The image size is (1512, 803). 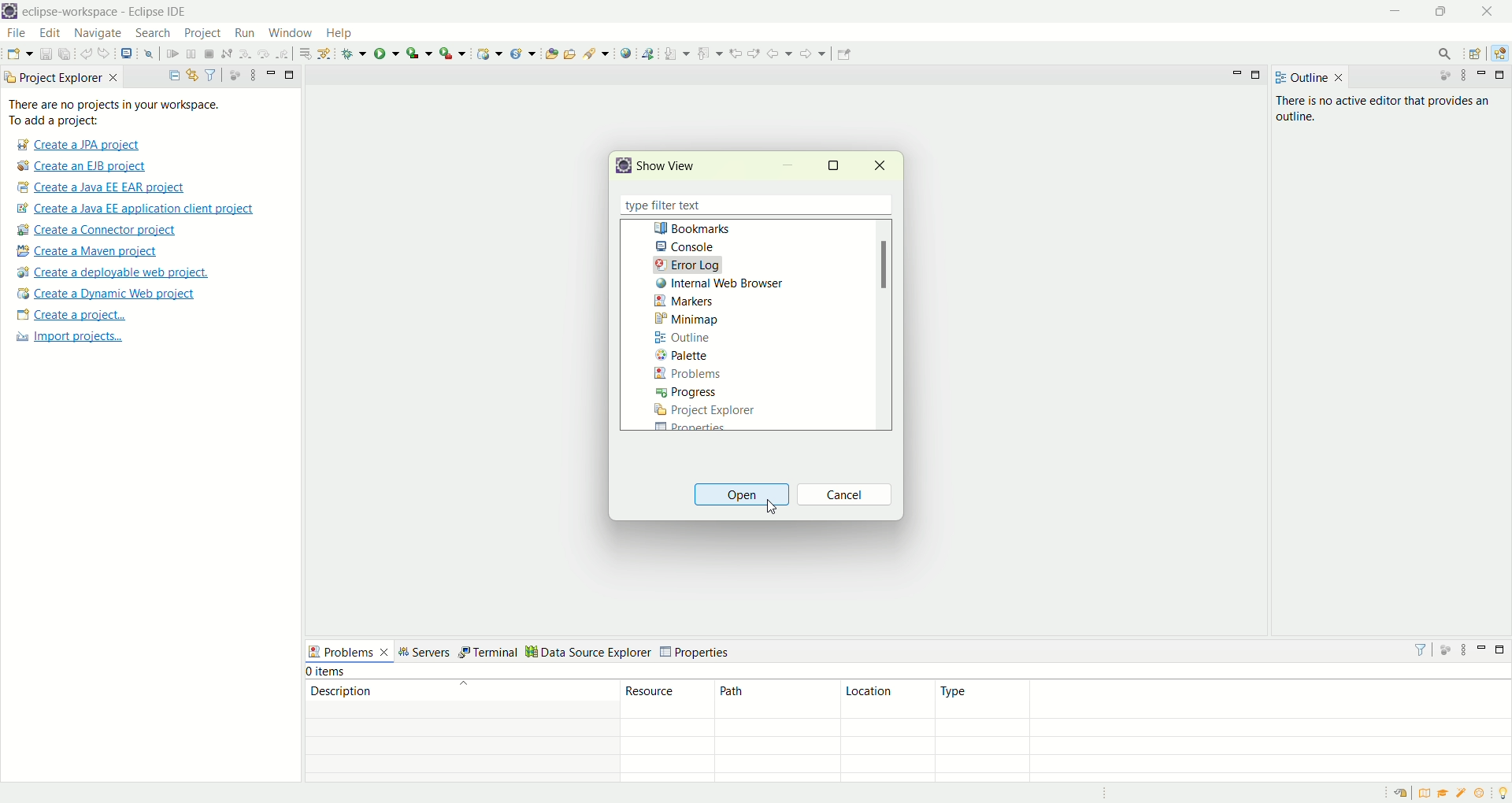 What do you see at coordinates (743, 494) in the screenshot?
I see `open` at bounding box center [743, 494].